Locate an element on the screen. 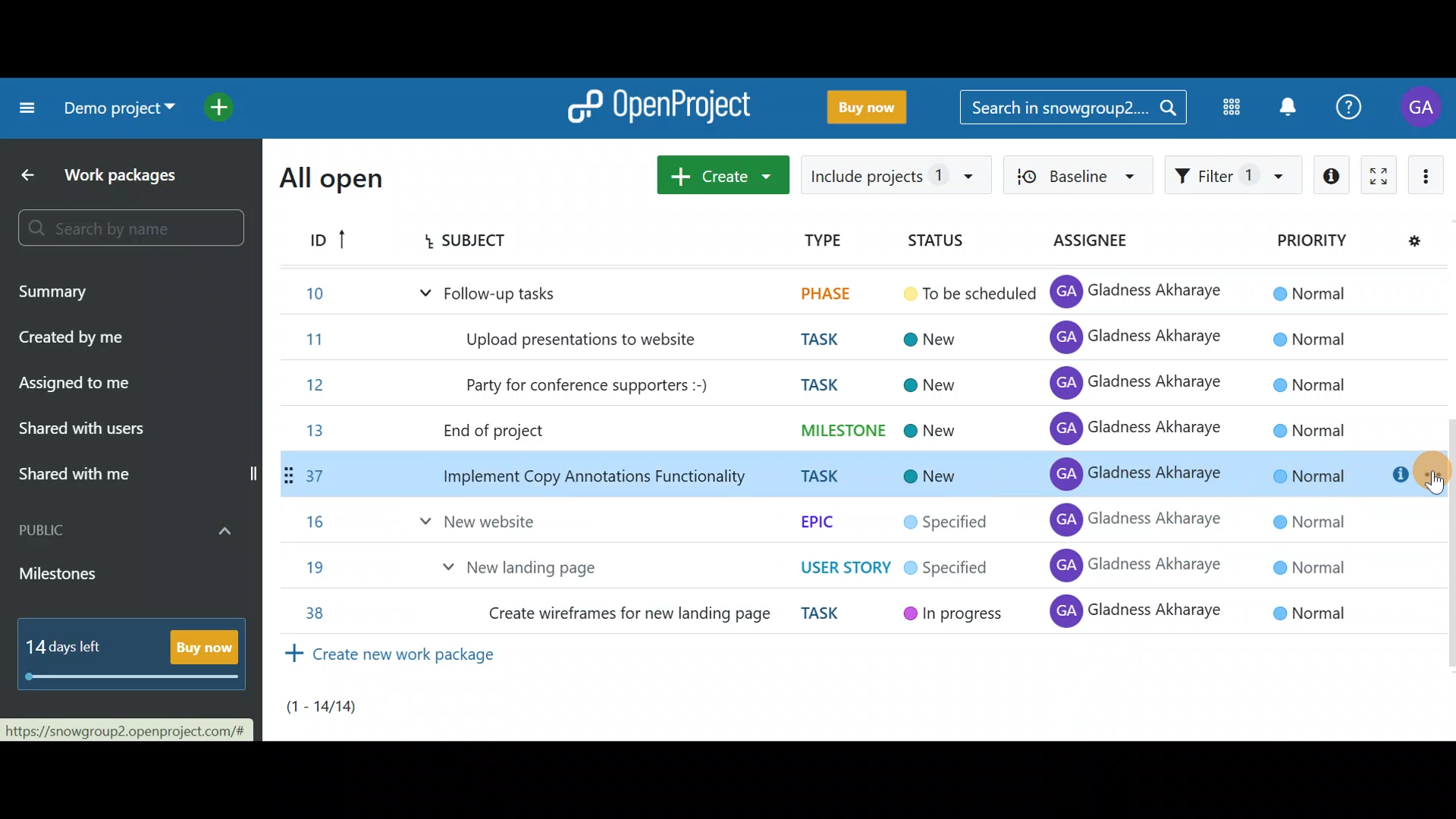 The height and width of the screenshot is (819, 1456). TASK is located at coordinates (813, 384).